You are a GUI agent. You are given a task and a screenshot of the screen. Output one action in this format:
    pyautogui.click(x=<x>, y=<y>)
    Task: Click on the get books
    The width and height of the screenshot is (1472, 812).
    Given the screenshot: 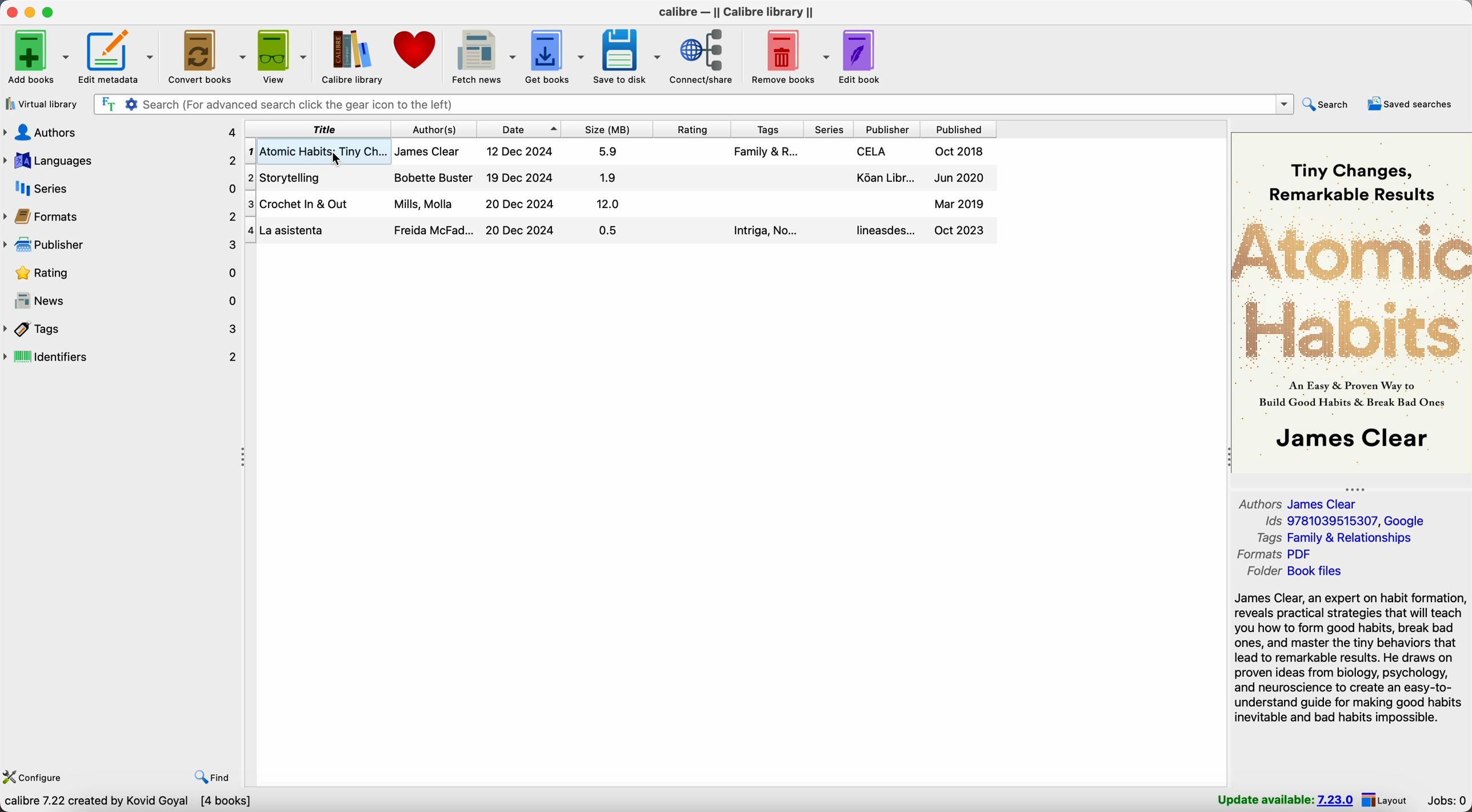 What is the action you would take?
    pyautogui.click(x=555, y=56)
    